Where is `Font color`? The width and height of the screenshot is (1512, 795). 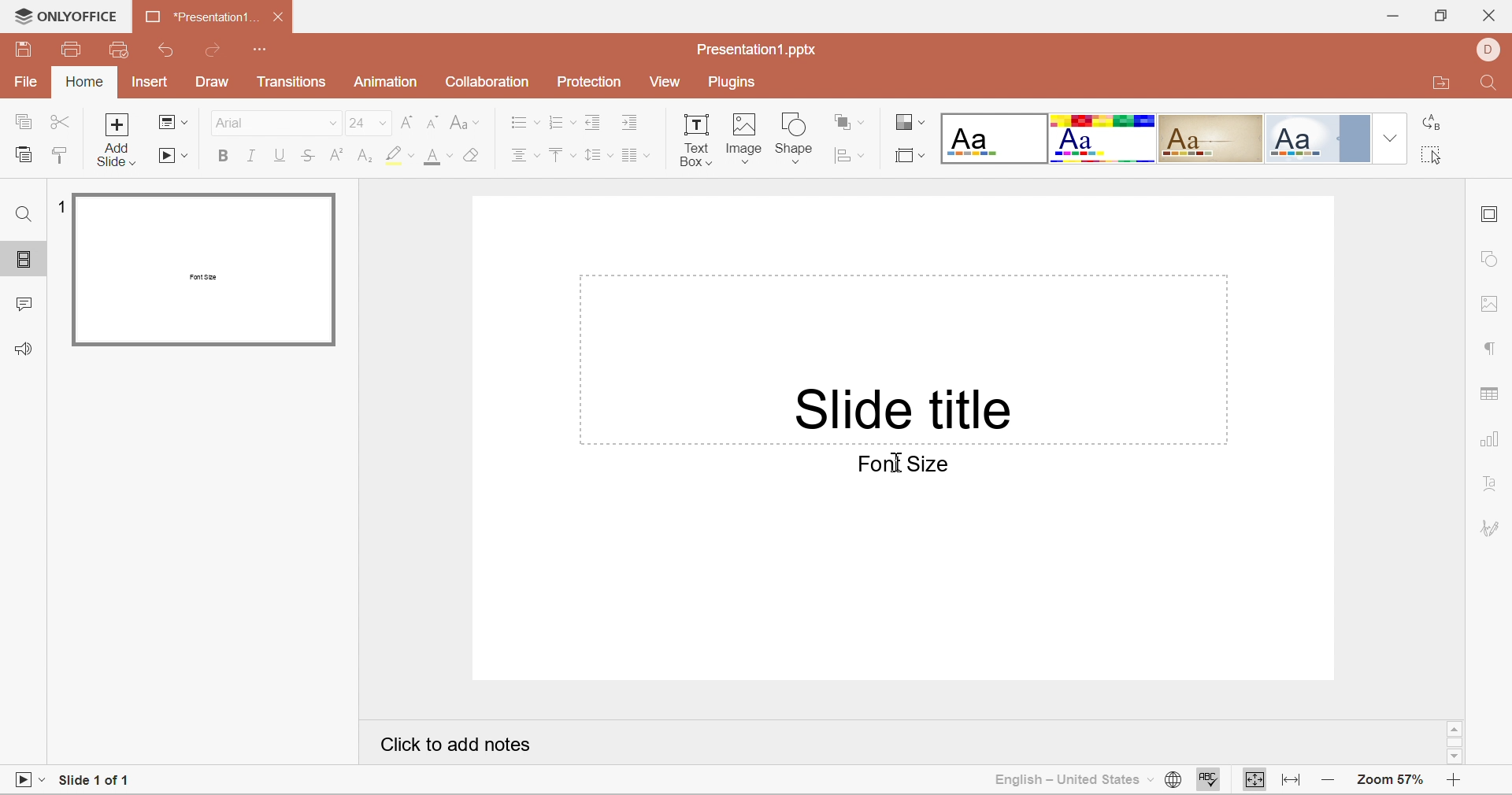
Font color is located at coordinates (439, 158).